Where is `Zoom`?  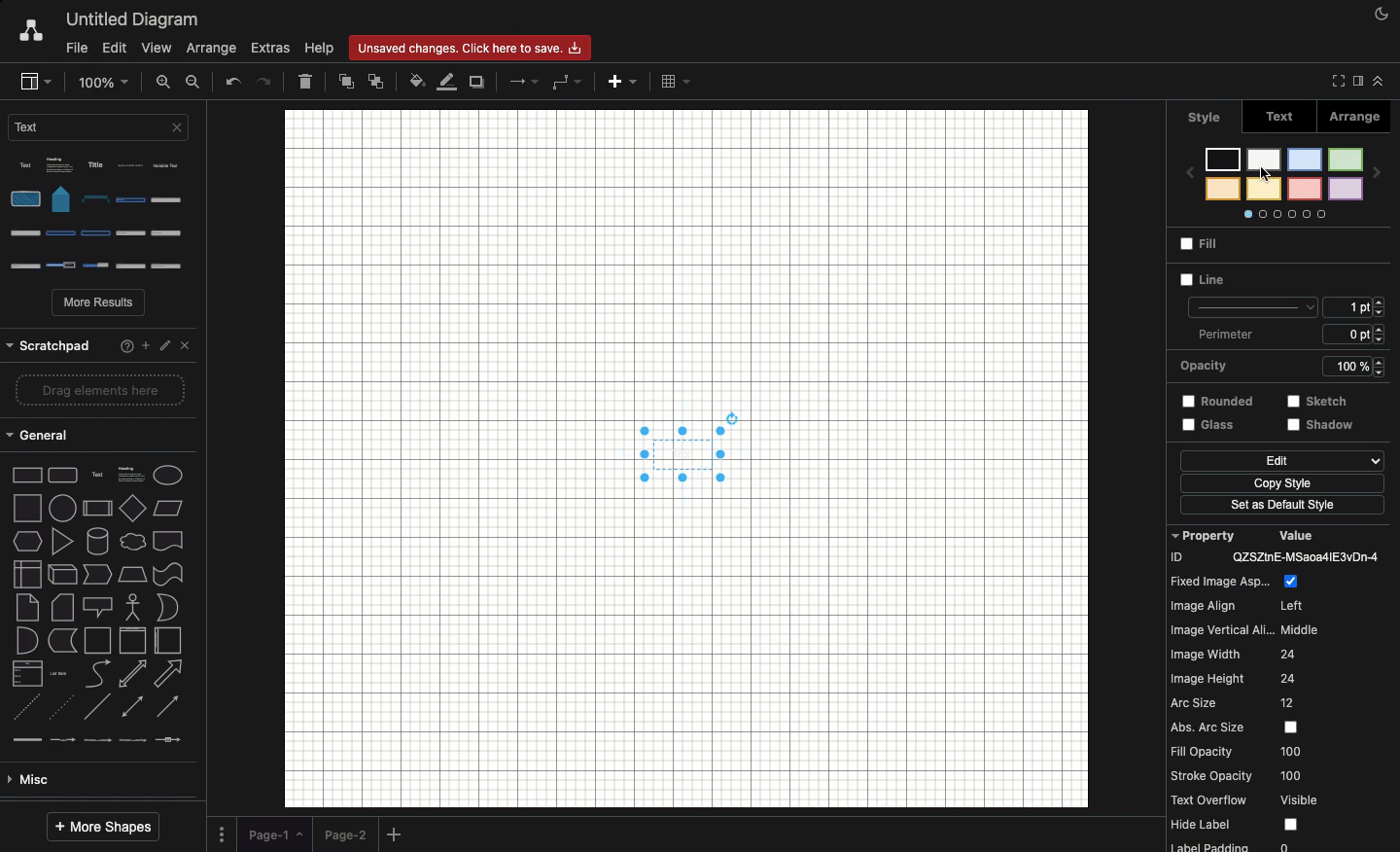
Zoom is located at coordinates (105, 81).